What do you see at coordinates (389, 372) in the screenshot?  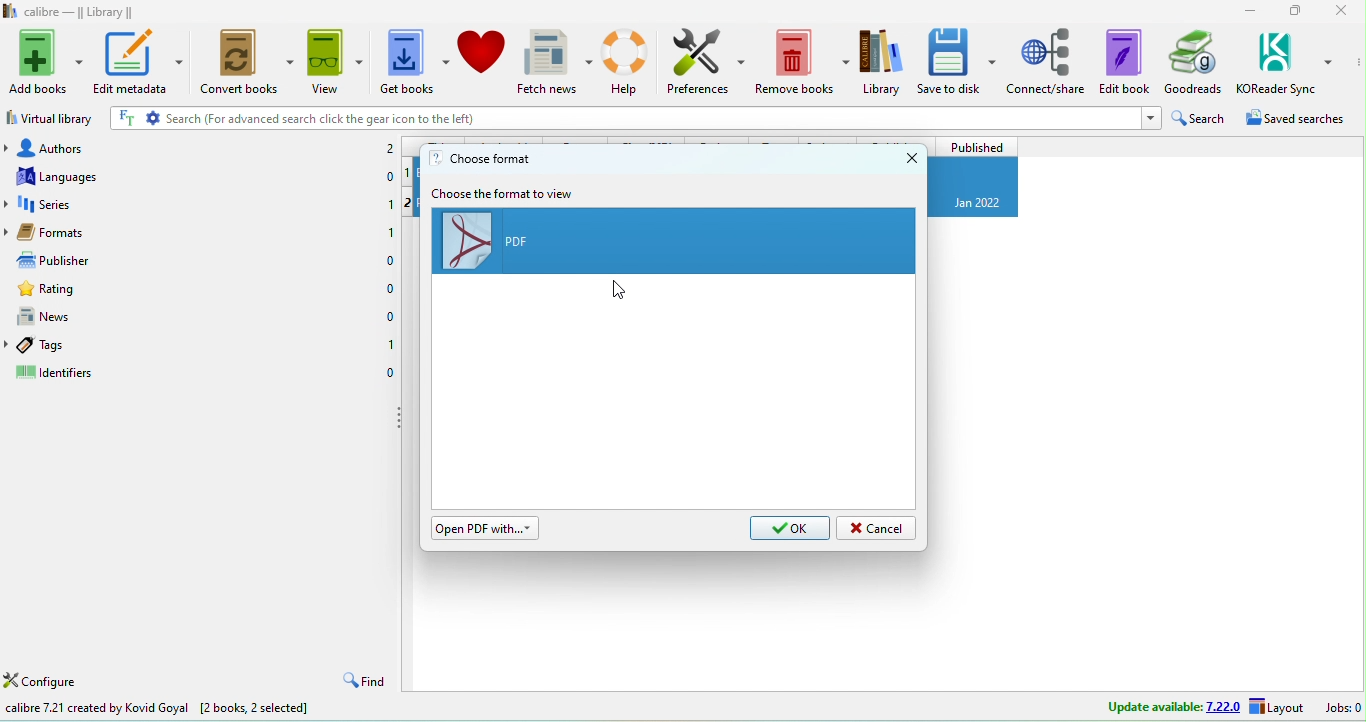 I see `0` at bounding box center [389, 372].